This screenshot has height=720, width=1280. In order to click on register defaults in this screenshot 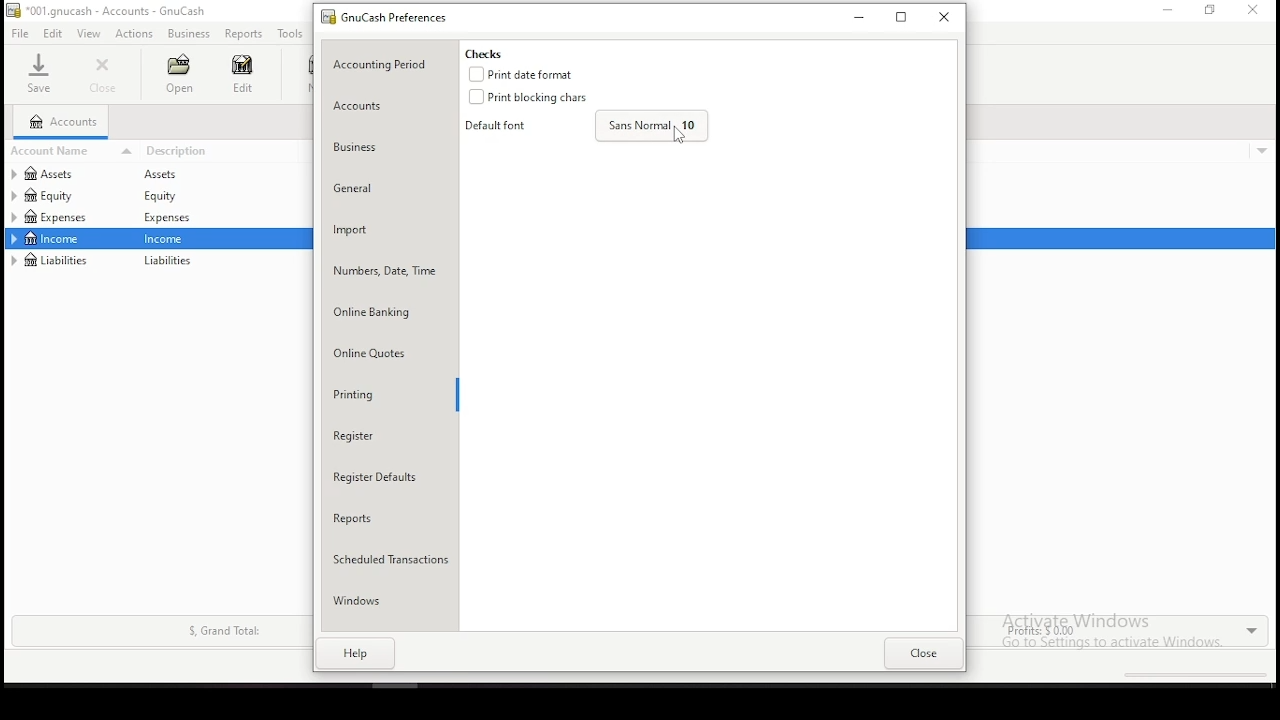, I will do `click(375, 474)`.